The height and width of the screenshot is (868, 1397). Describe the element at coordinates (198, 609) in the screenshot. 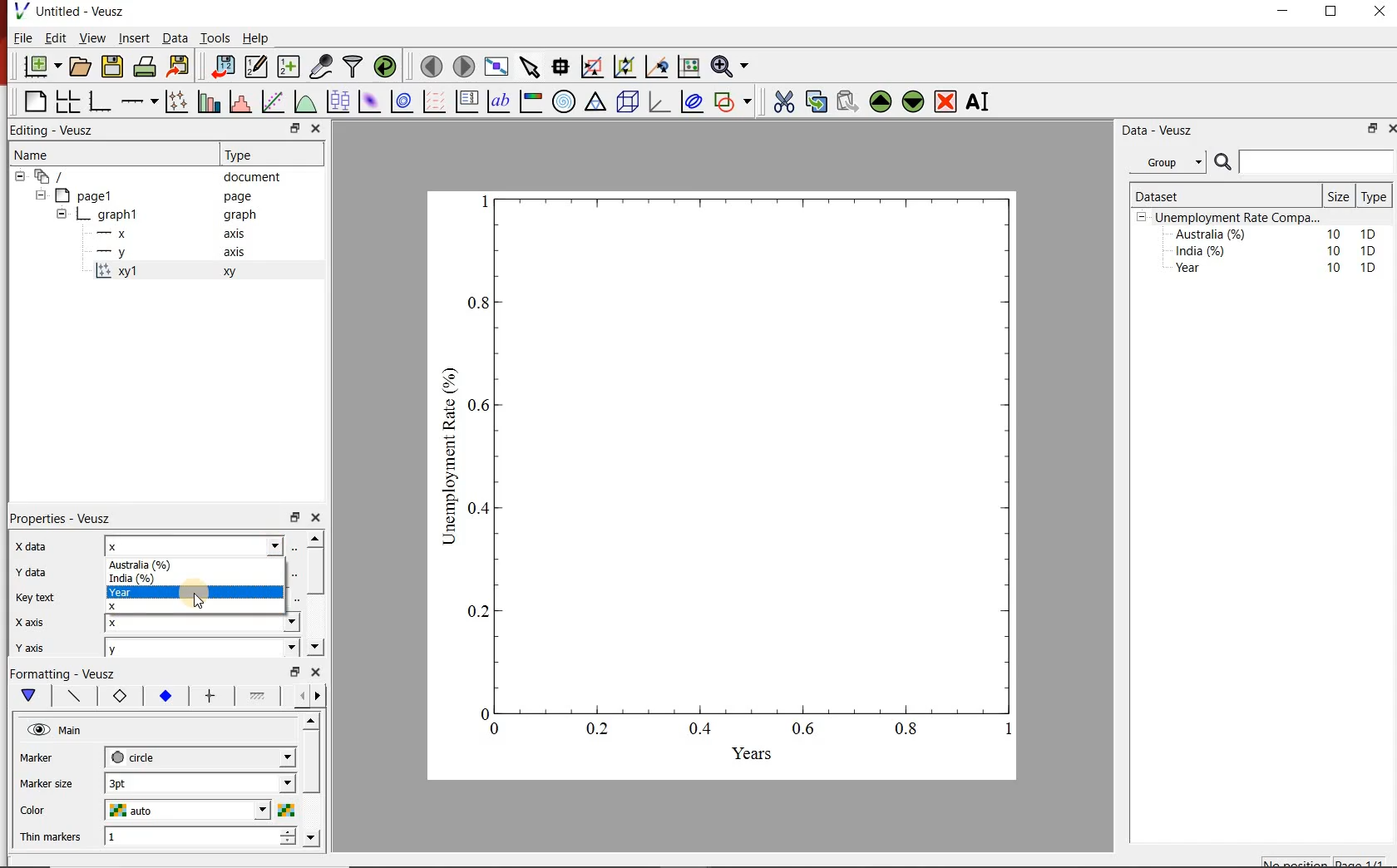

I see `X` at that location.